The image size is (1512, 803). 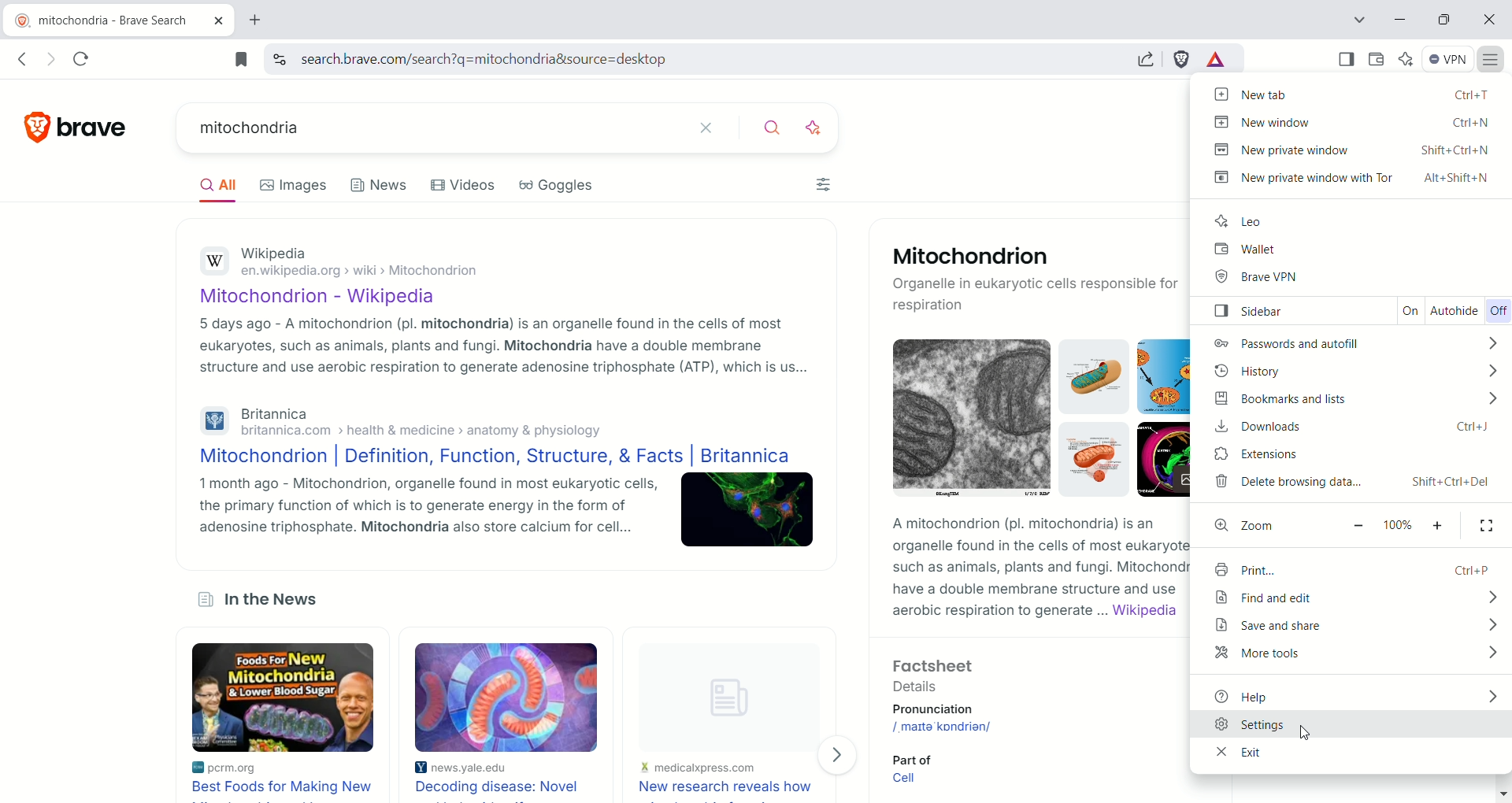 What do you see at coordinates (412, 128) in the screenshot?
I see `mitochondria` at bounding box center [412, 128].